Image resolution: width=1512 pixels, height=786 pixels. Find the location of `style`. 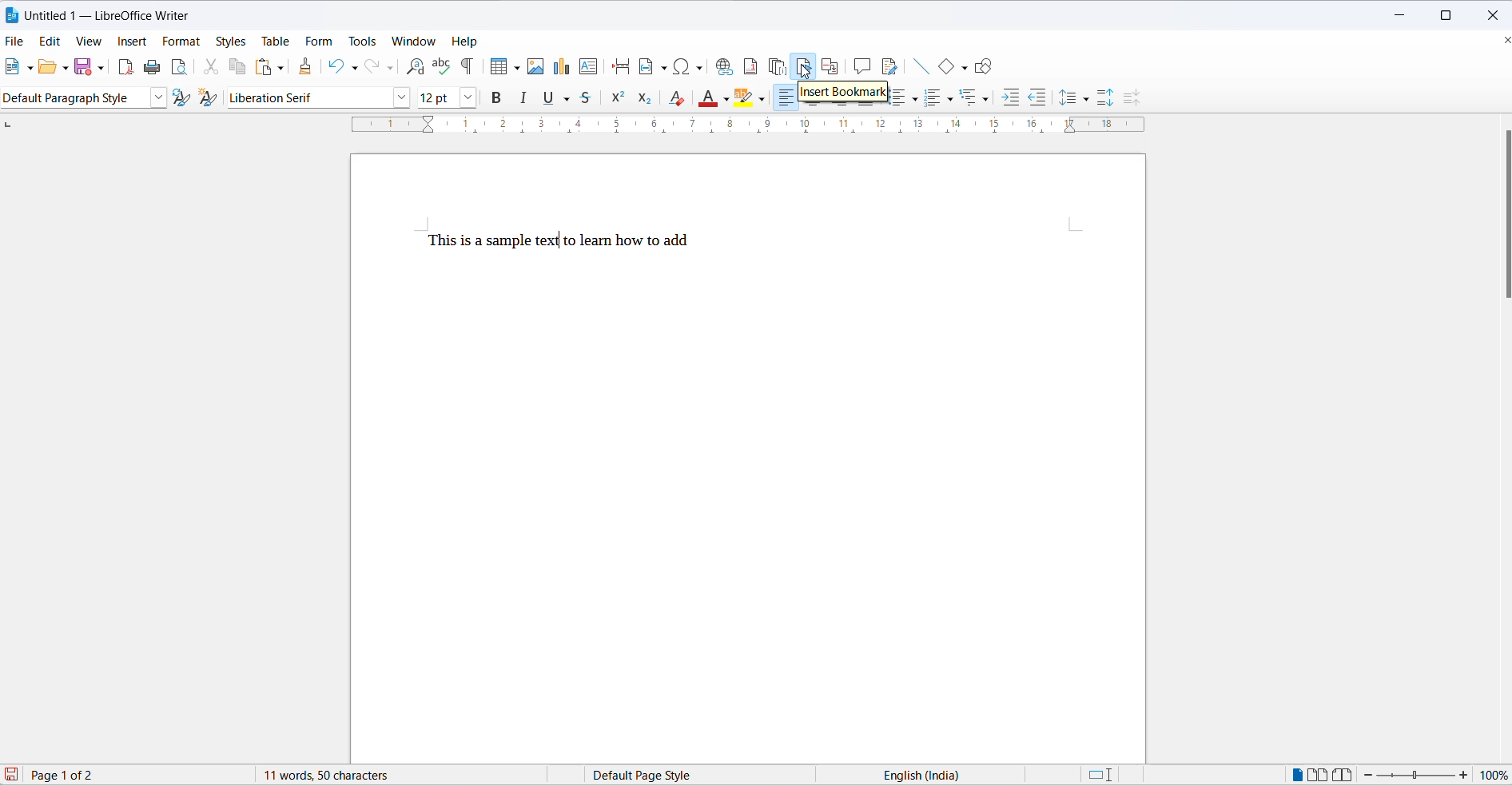

style is located at coordinates (74, 97).